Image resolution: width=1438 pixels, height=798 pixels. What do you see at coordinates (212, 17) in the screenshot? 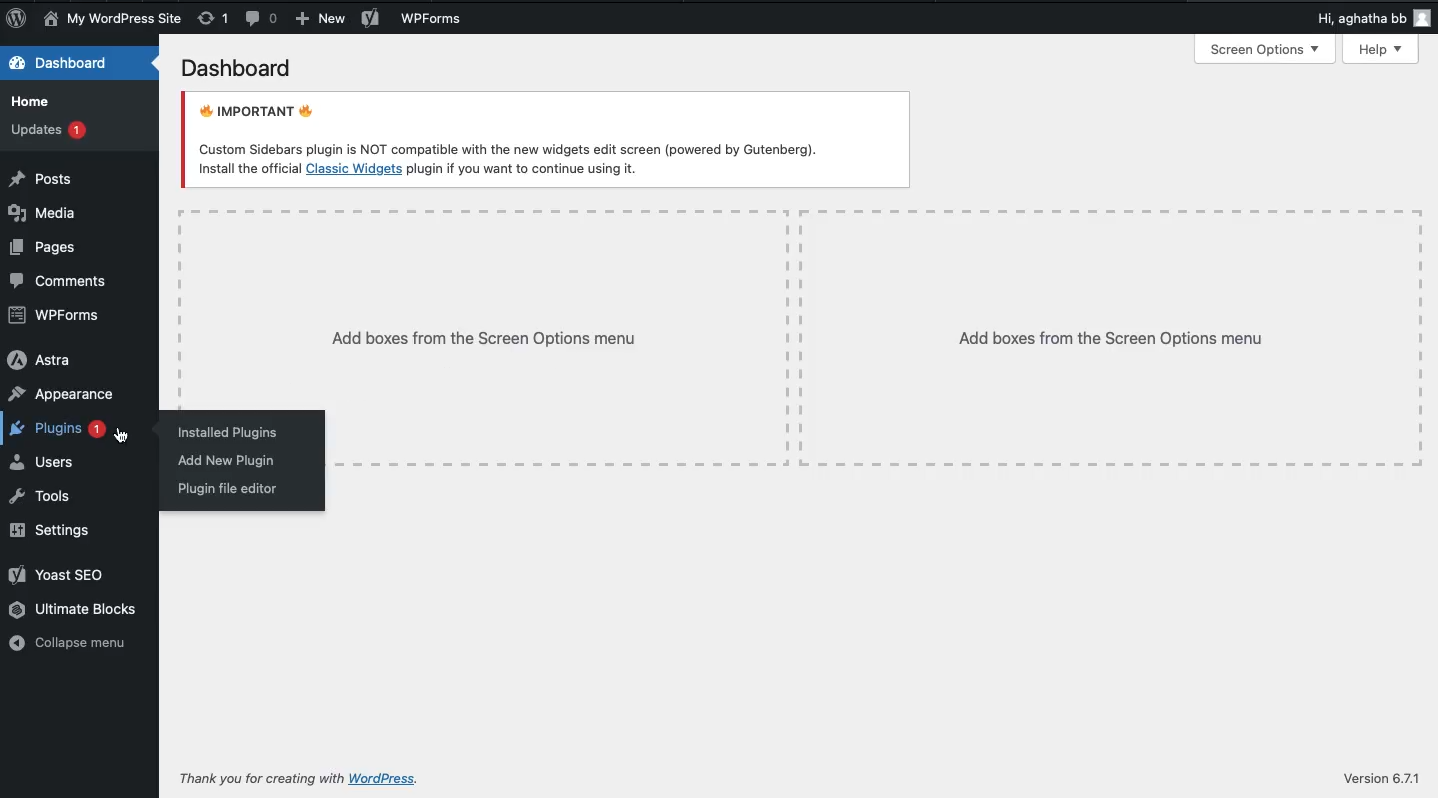
I see `Revision` at bounding box center [212, 17].